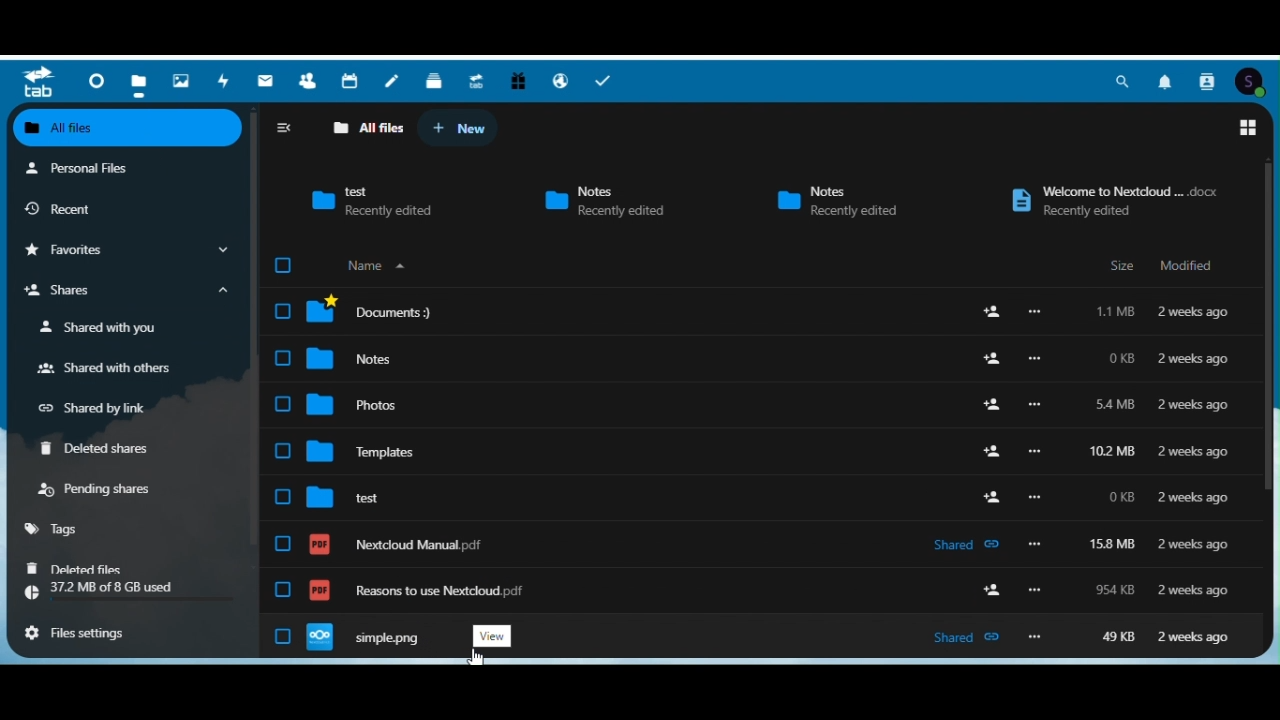 The width and height of the screenshot is (1280, 720). Describe the element at coordinates (283, 312) in the screenshot. I see `checkbox` at that location.